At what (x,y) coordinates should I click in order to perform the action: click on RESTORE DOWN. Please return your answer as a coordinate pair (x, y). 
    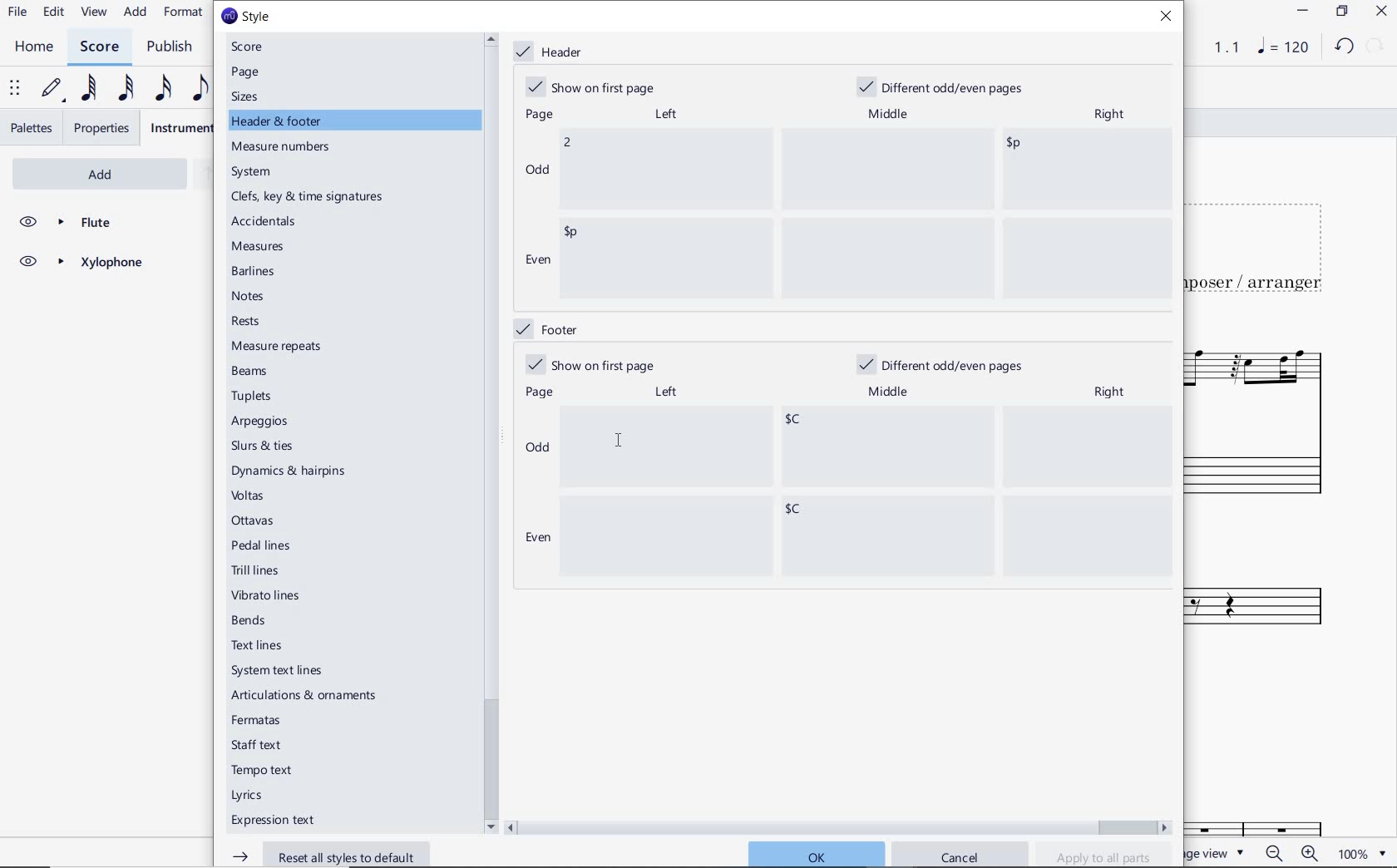
    Looking at the image, I should click on (1341, 12).